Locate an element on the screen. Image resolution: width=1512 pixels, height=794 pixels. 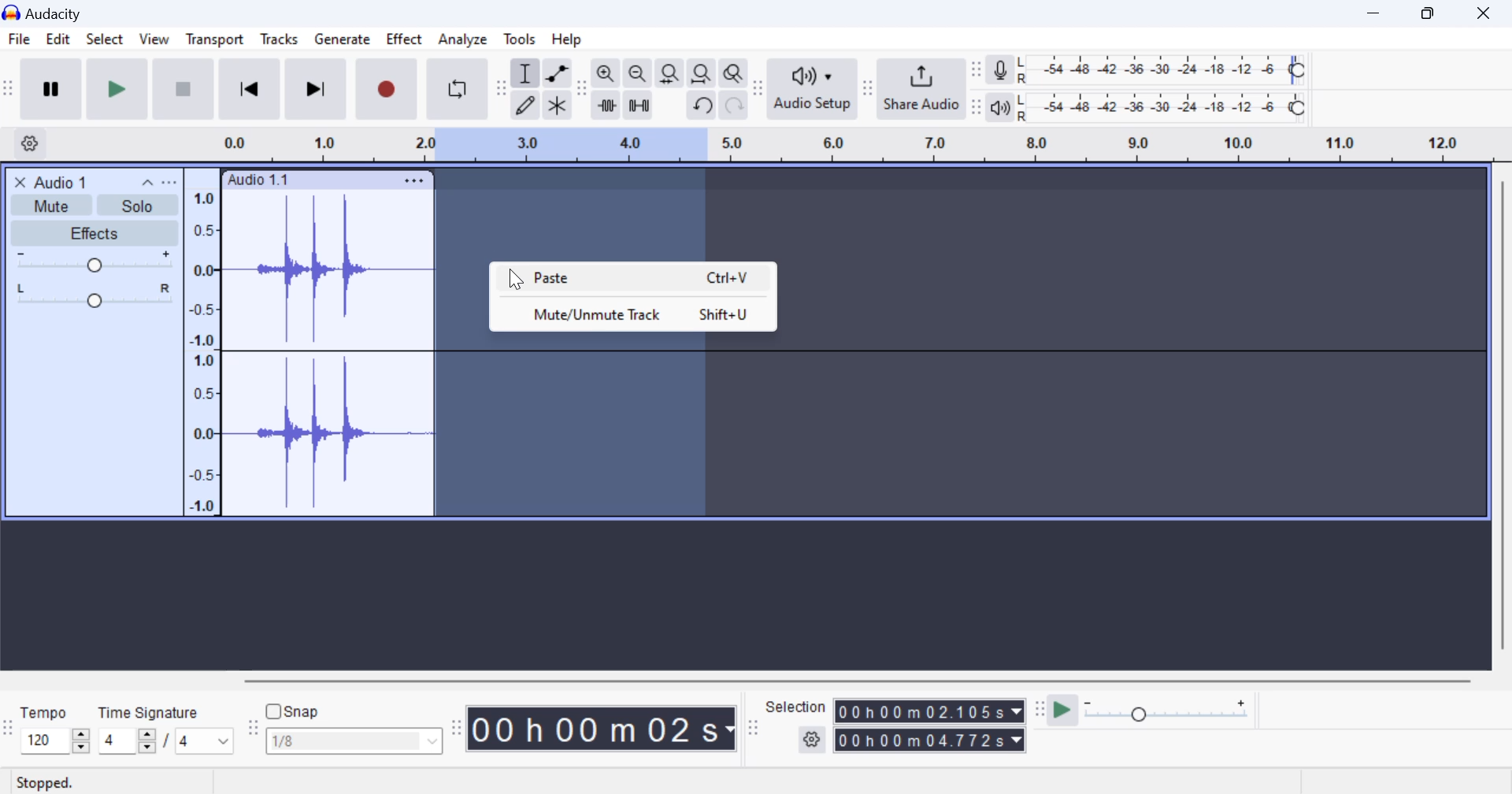
vertical scrollbar is located at coordinates (1501, 421).